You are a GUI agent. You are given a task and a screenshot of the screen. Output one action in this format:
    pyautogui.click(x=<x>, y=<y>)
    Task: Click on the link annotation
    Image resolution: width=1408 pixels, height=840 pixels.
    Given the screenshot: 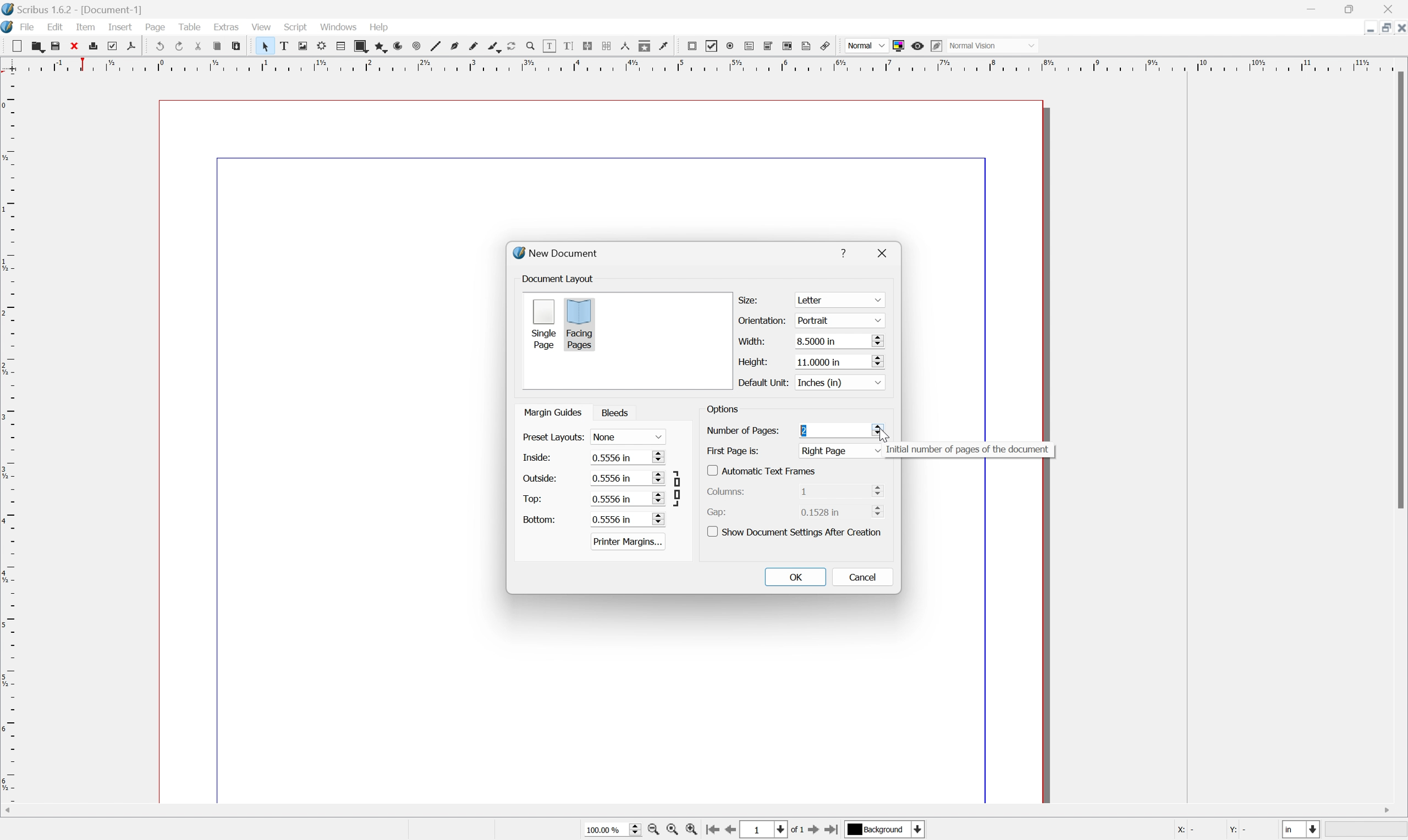 What is the action you would take?
    pyautogui.click(x=828, y=45)
    